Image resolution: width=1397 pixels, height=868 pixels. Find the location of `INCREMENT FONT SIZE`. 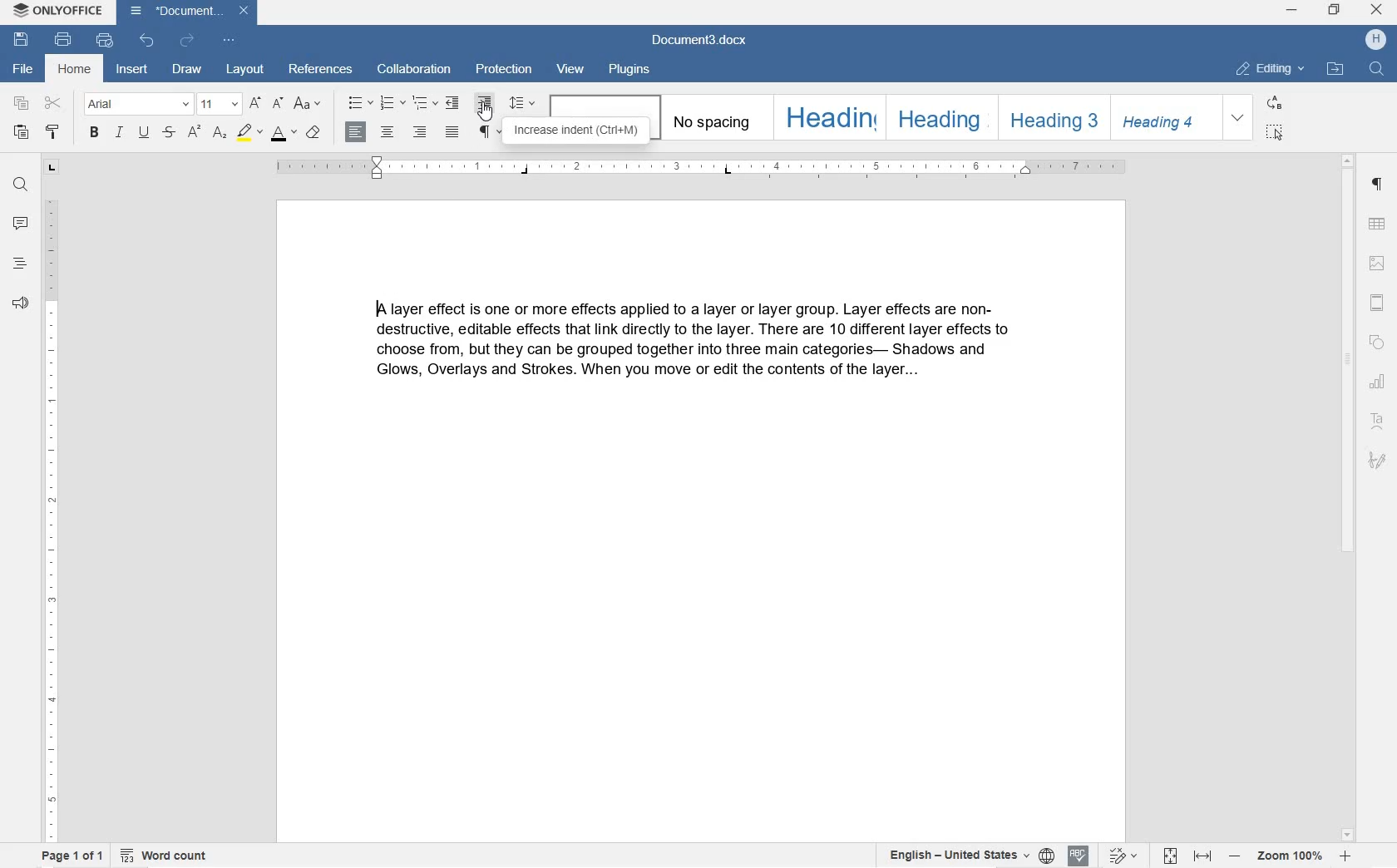

INCREMENT FONT SIZE is located at coordinates (254, 101).